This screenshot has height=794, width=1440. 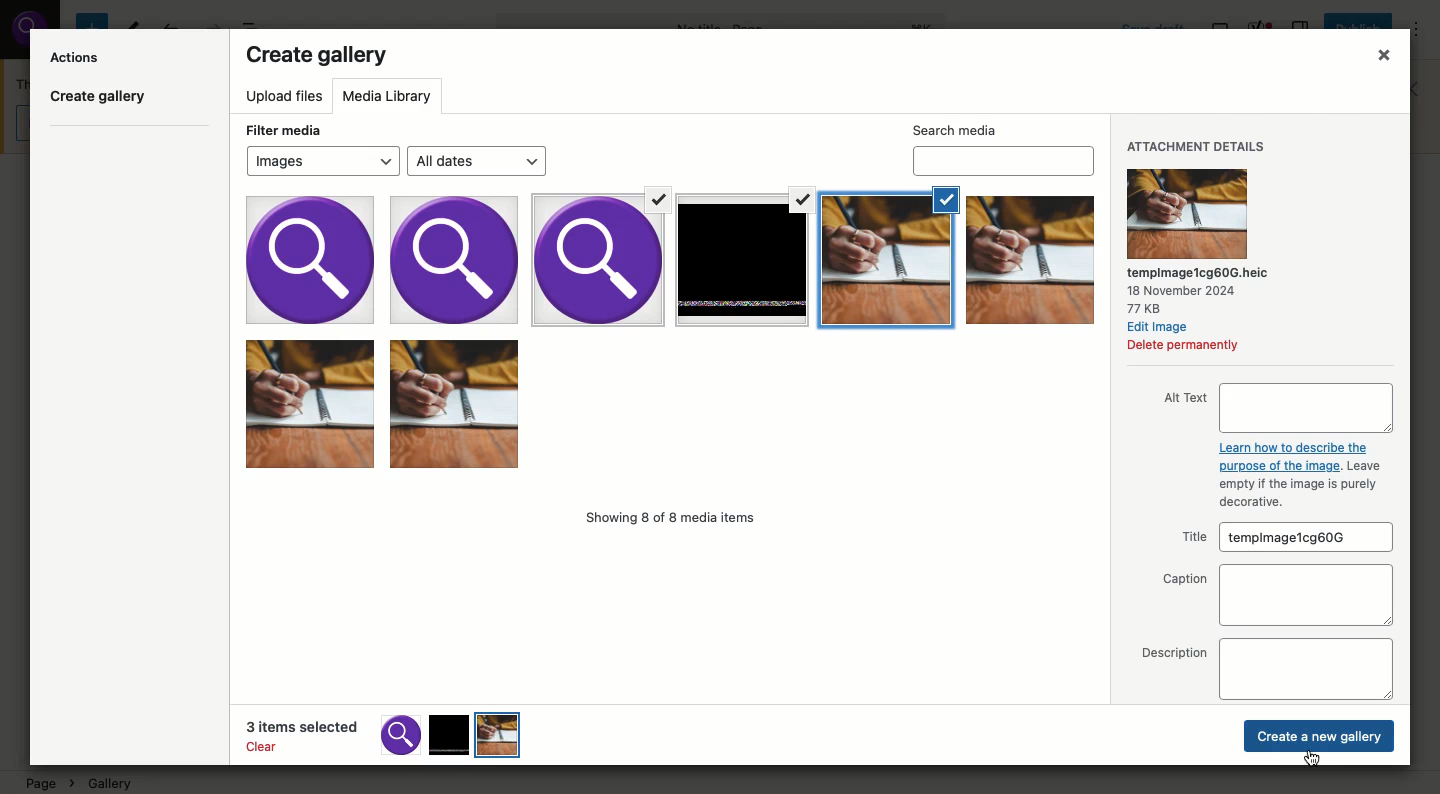 What do you see at coordinates (1378, 58) in the screenshot?
I see `Close` at bounding box center [1378, 58].